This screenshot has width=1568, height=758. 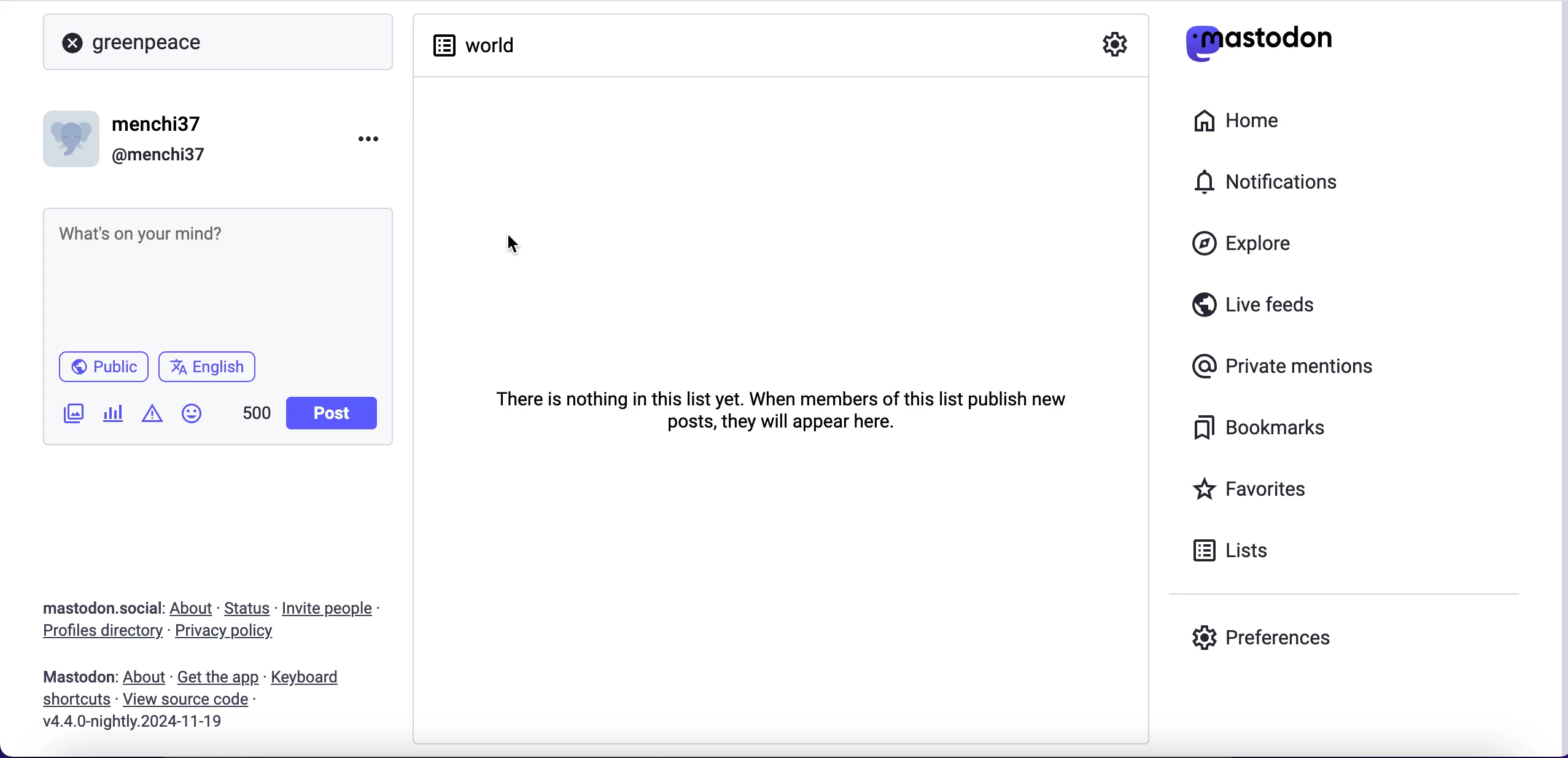 I want to click on greenpeace, so click(x=154, y=44).